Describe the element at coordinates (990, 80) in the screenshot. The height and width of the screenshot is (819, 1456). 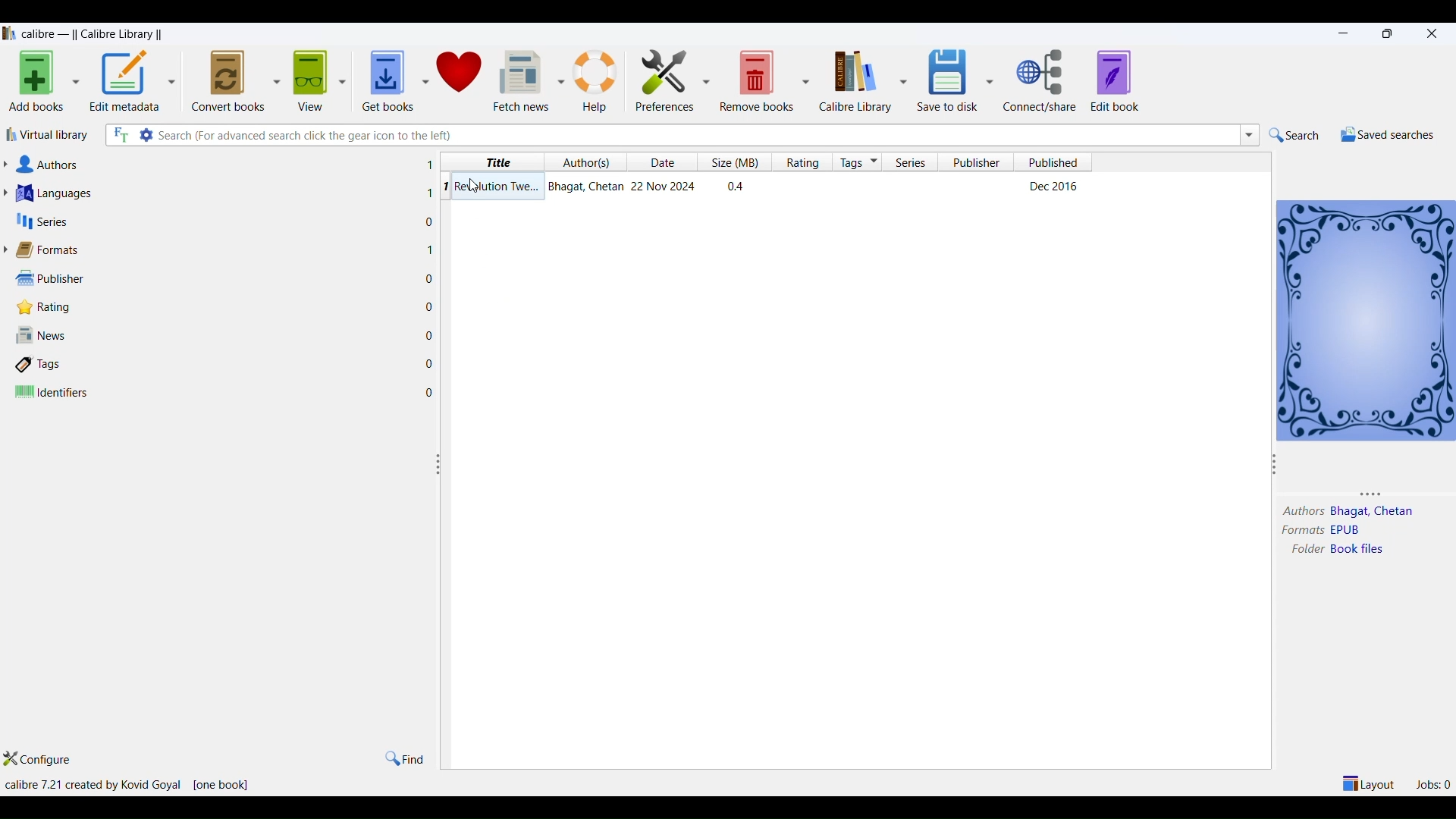
I see `save to disc options dropdown button` at that location.